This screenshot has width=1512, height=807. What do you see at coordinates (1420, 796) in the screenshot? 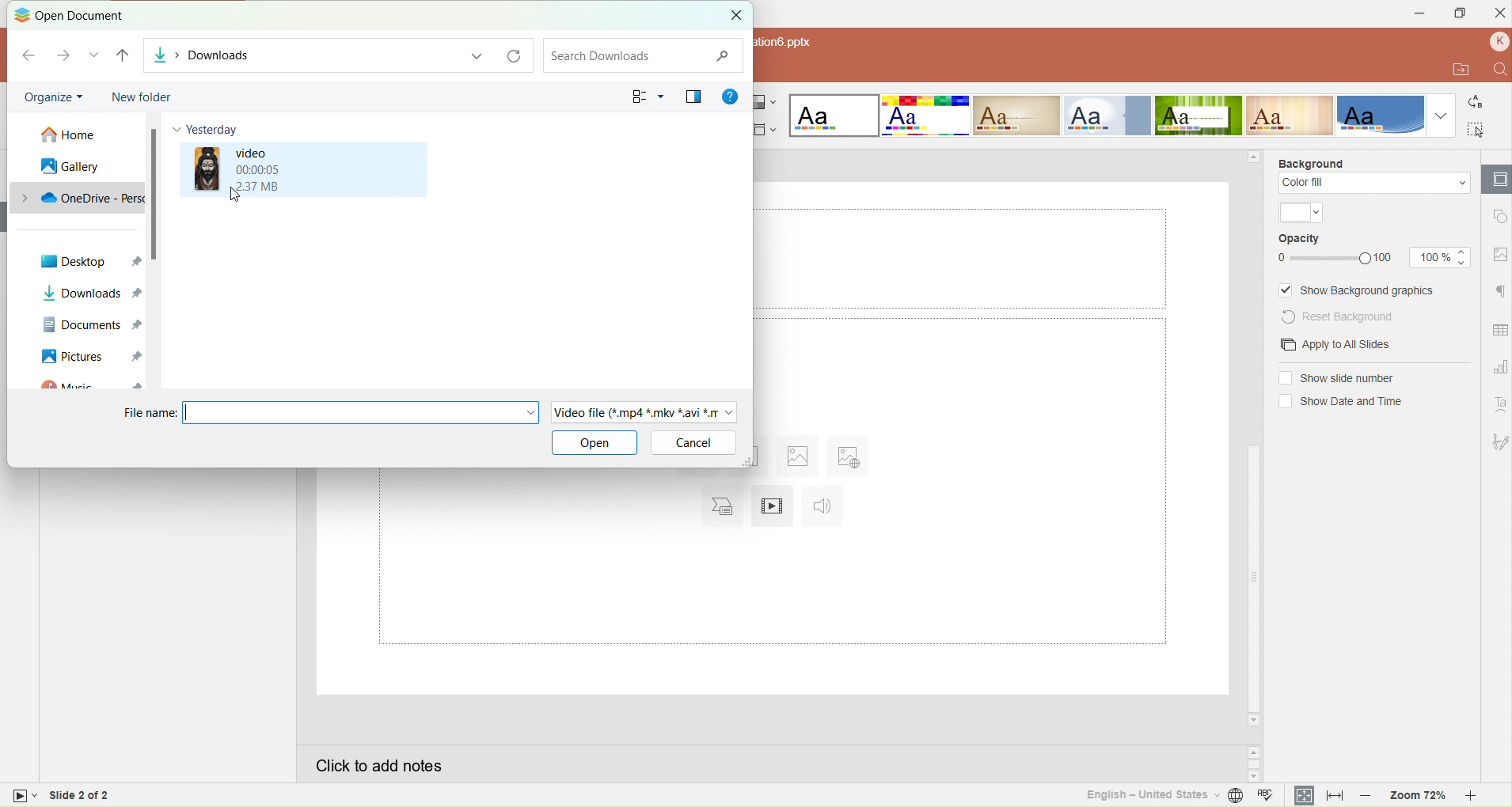
I see `Zoom 72%` at bounding box center [1420, 796].